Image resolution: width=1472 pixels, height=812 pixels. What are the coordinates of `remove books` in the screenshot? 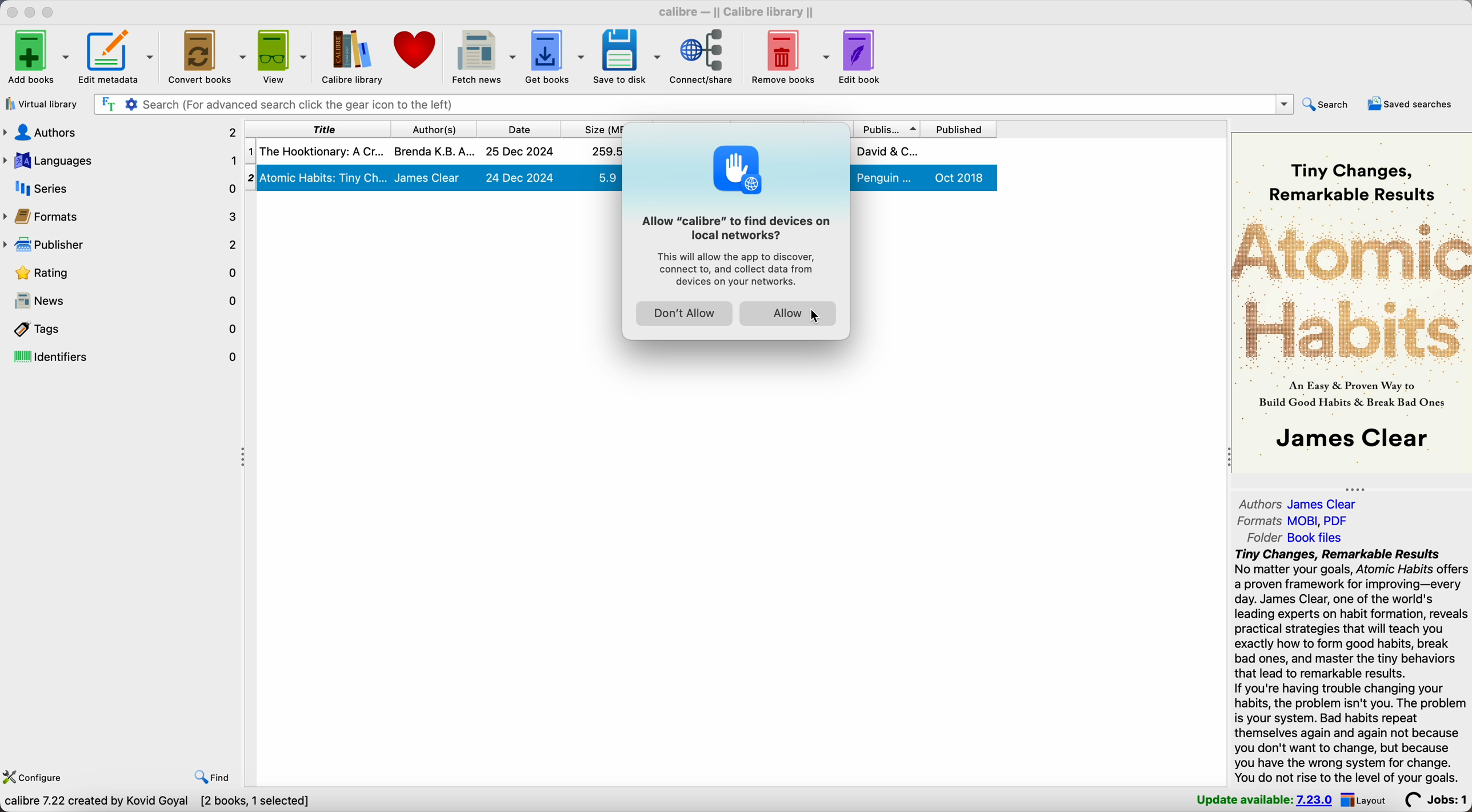 It's located at (787, 55).